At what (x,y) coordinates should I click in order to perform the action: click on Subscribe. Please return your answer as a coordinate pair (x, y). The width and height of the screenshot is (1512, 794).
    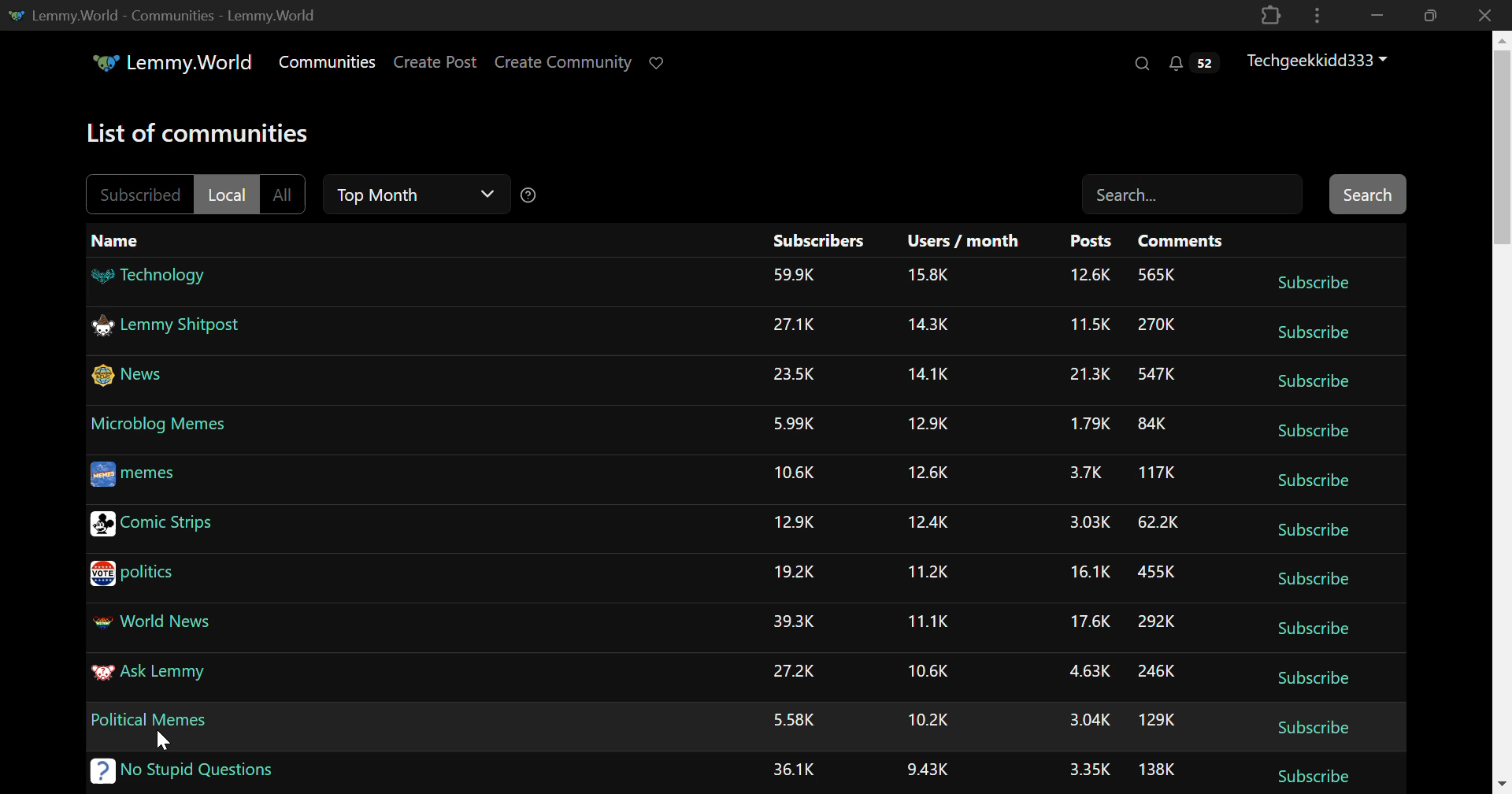
    Looking at the image, I should click on (1313, 680).